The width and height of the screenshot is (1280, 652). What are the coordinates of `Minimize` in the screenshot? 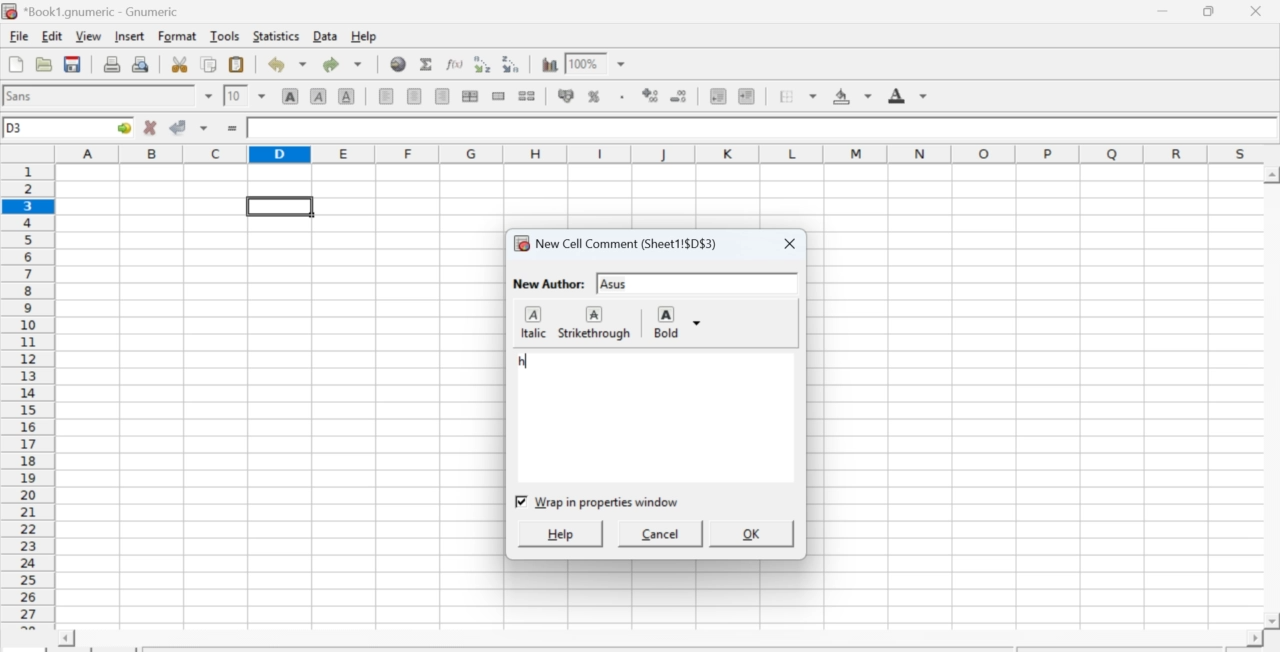 It's located at (1162, 12).